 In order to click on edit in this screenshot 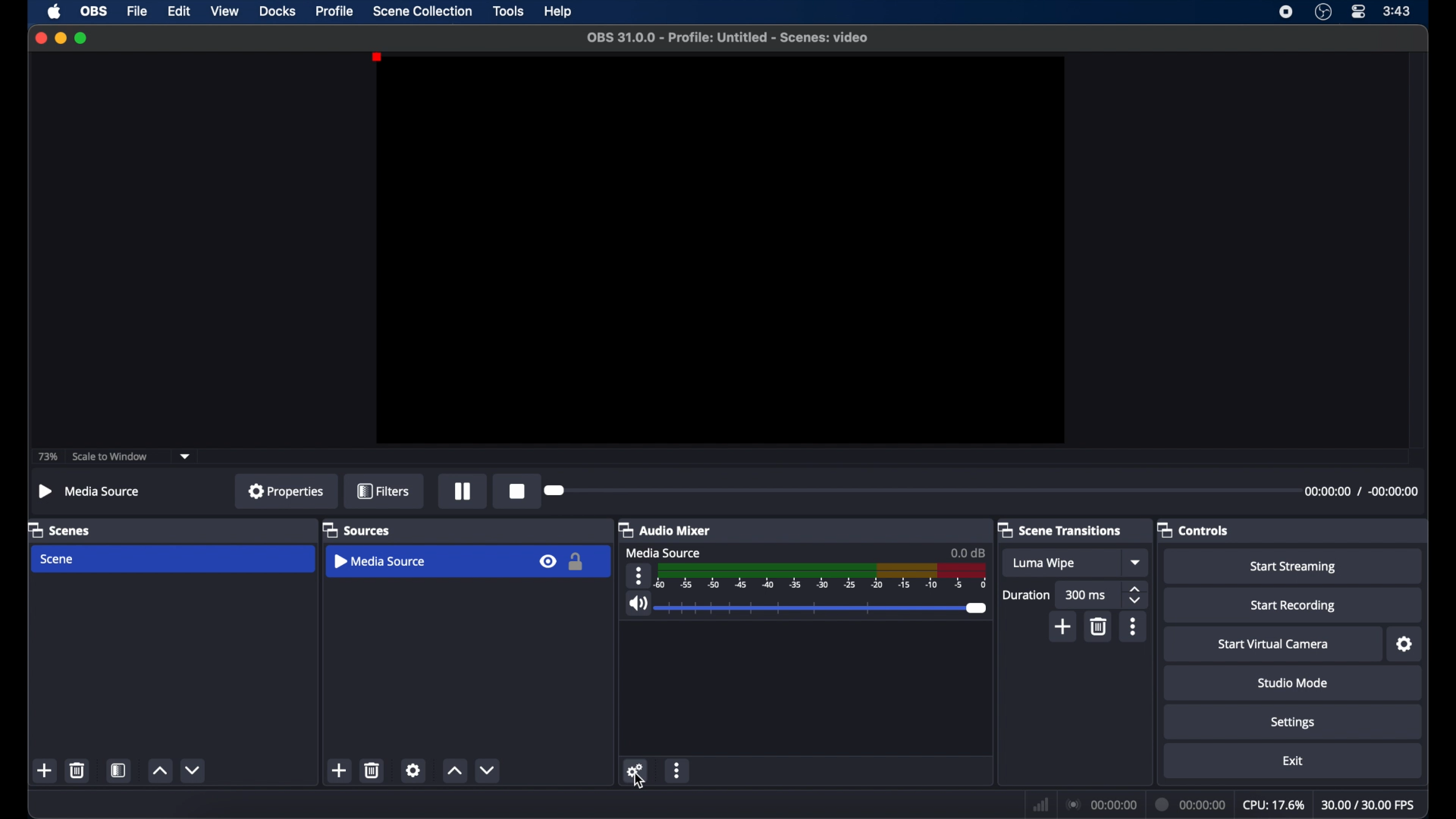, I will do `click(178, 11)`.